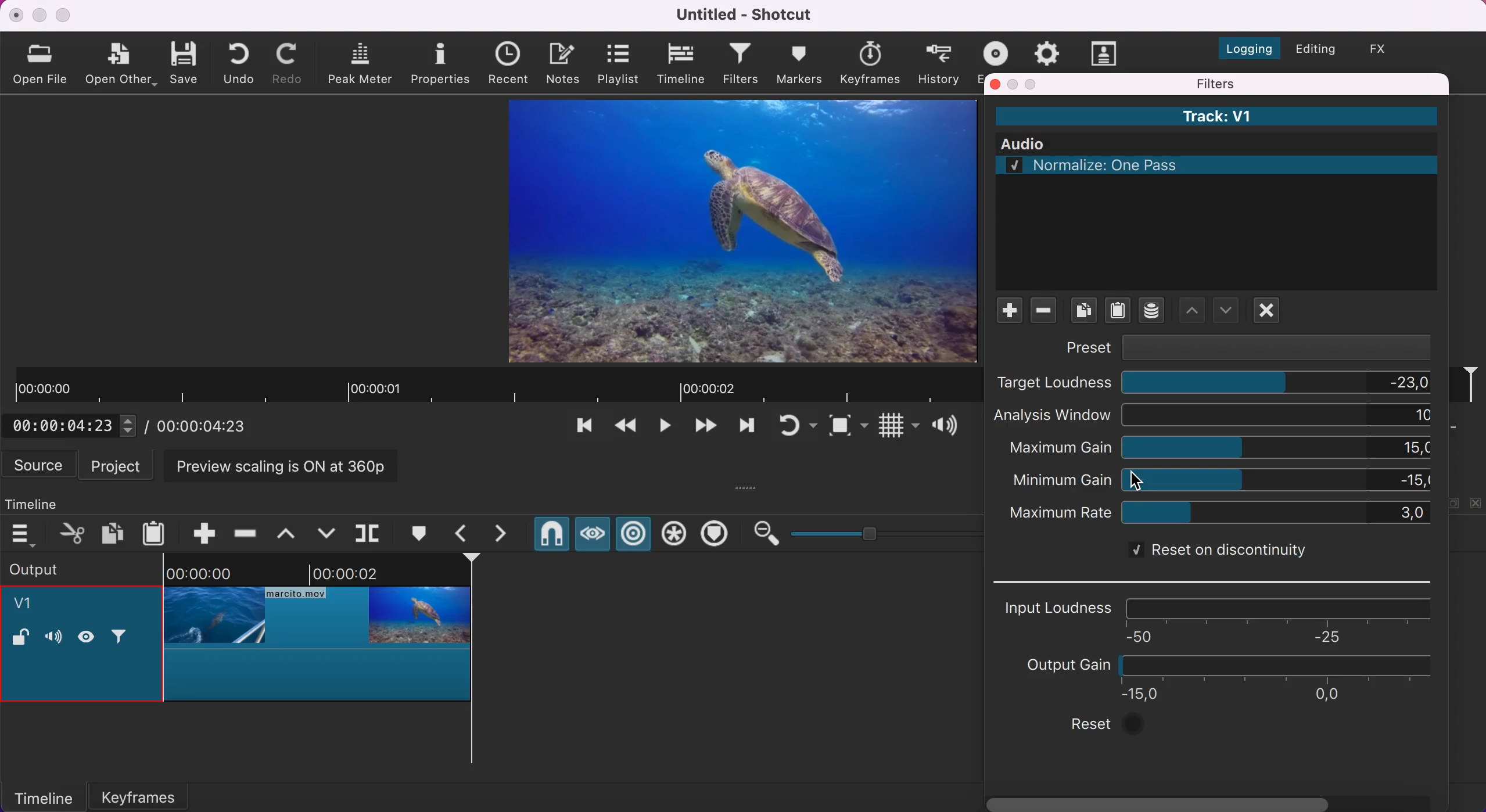 The width and height of the screenshot is (1486, 812). I want to click on undo, so click(242, 62).